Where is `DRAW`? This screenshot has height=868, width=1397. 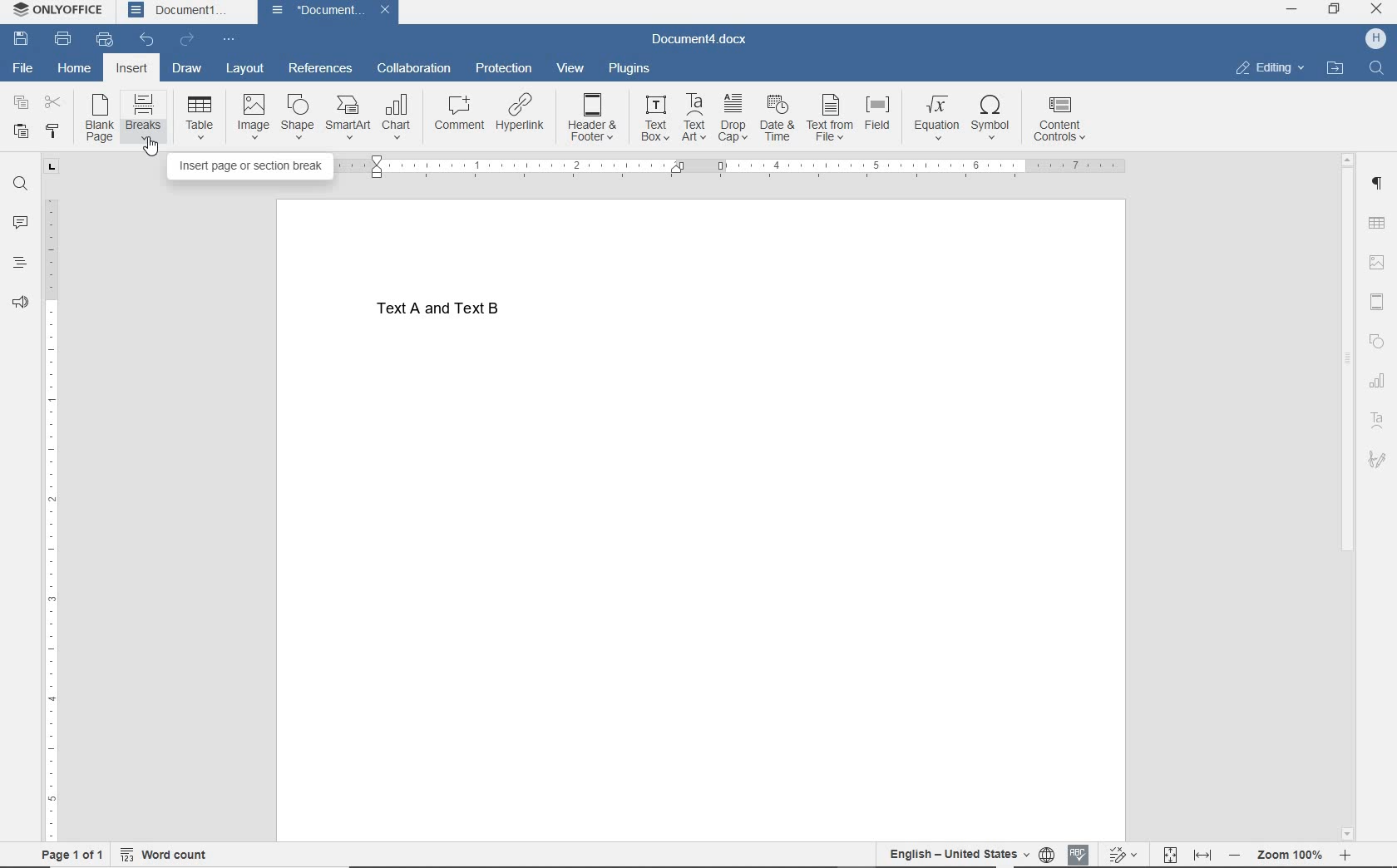
DRAW is located at coordinates (188, 67).